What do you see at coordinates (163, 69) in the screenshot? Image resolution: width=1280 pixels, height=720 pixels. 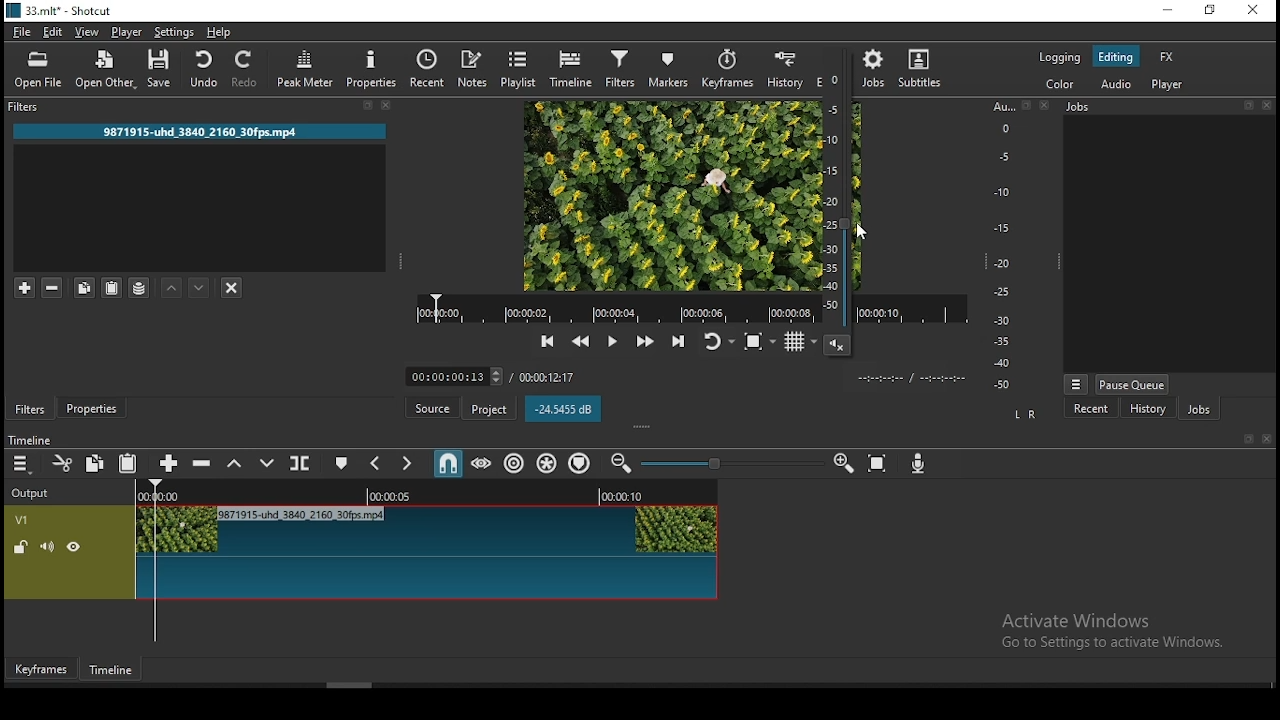 I see `save` at bounding box center [163, 69].